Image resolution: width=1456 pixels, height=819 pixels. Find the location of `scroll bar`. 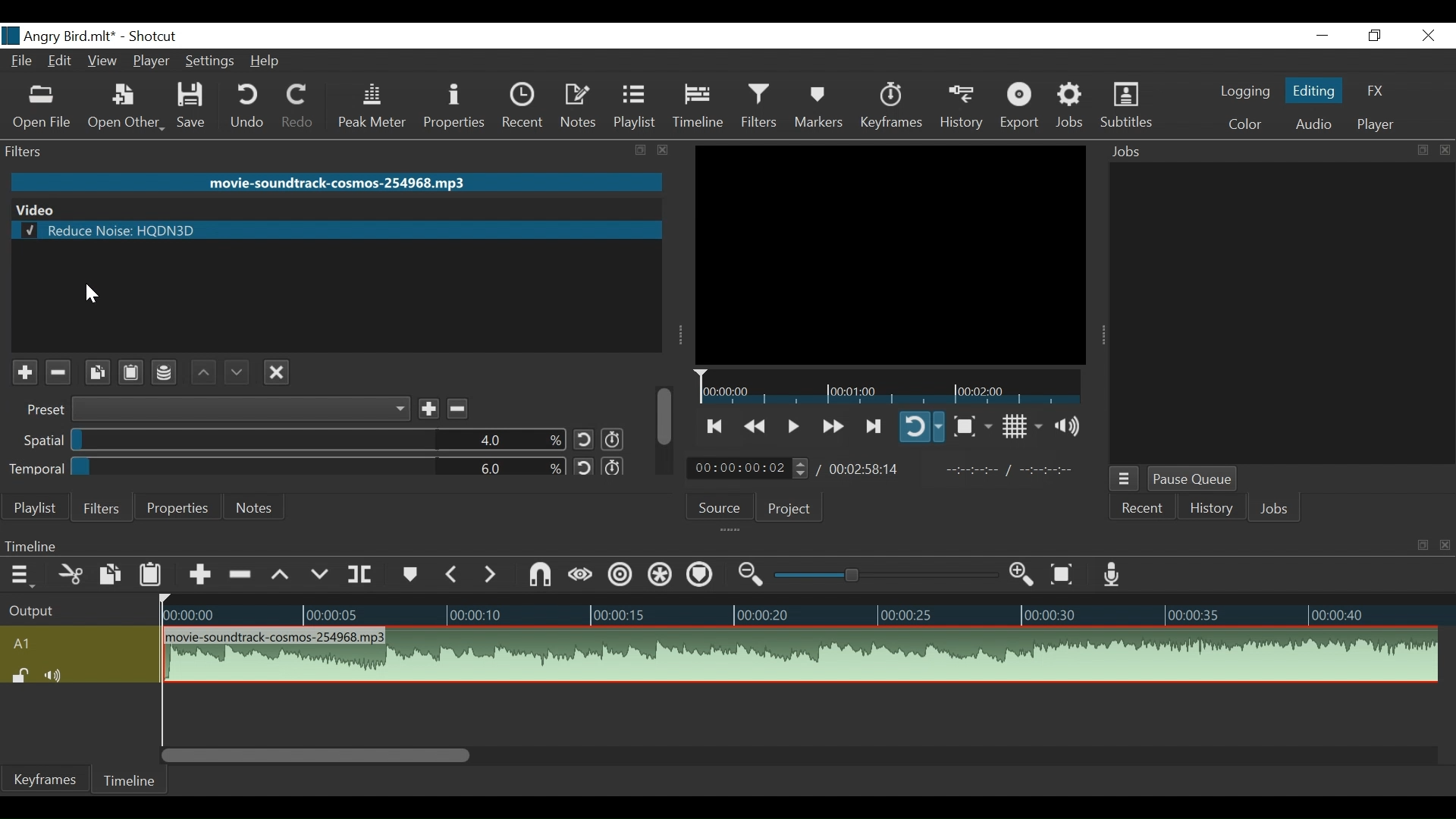

scroll bar is located at coordinates (664, 417).